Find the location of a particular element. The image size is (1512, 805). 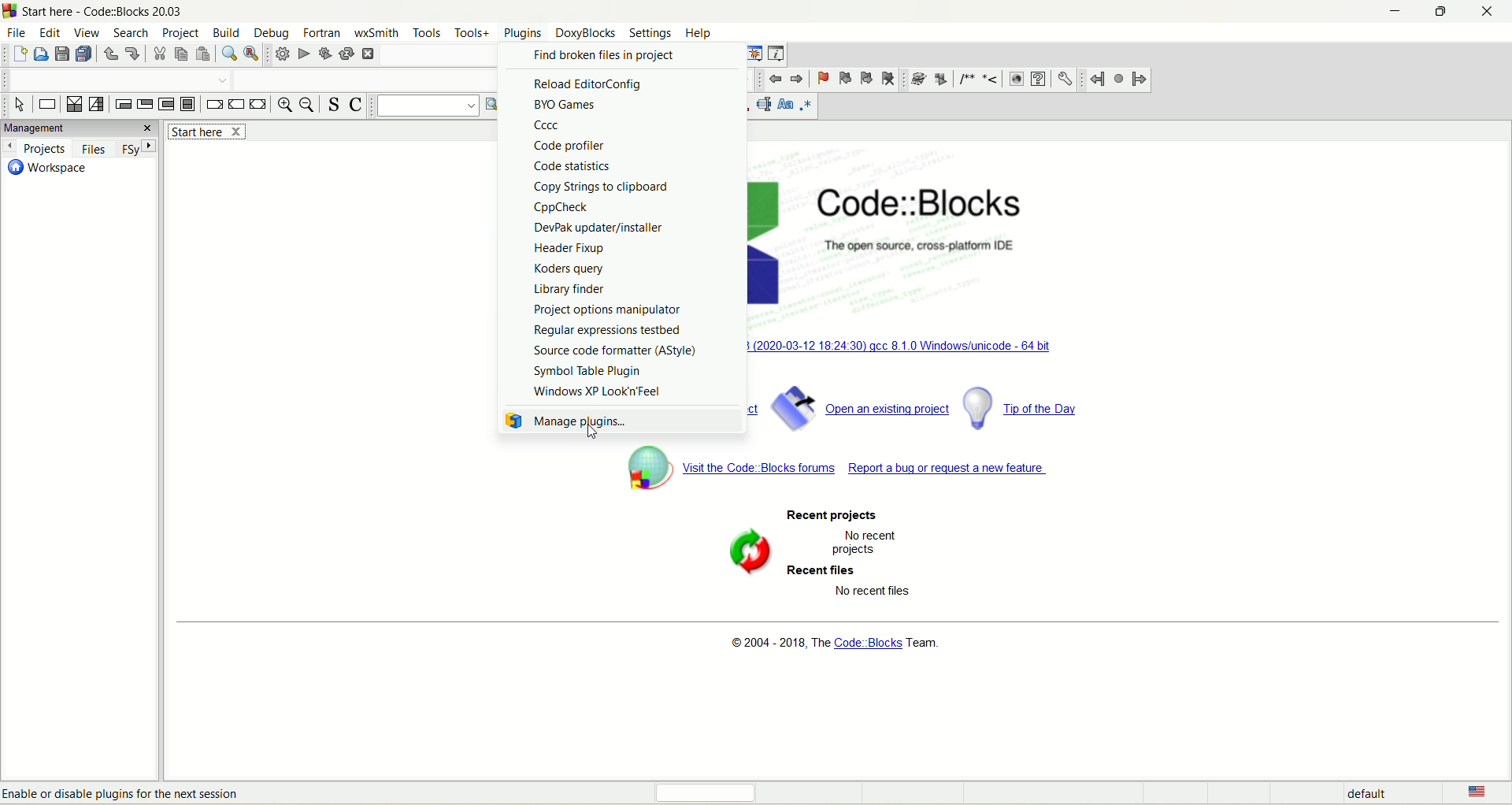

open an existing project is located at coordinates (859, 406).